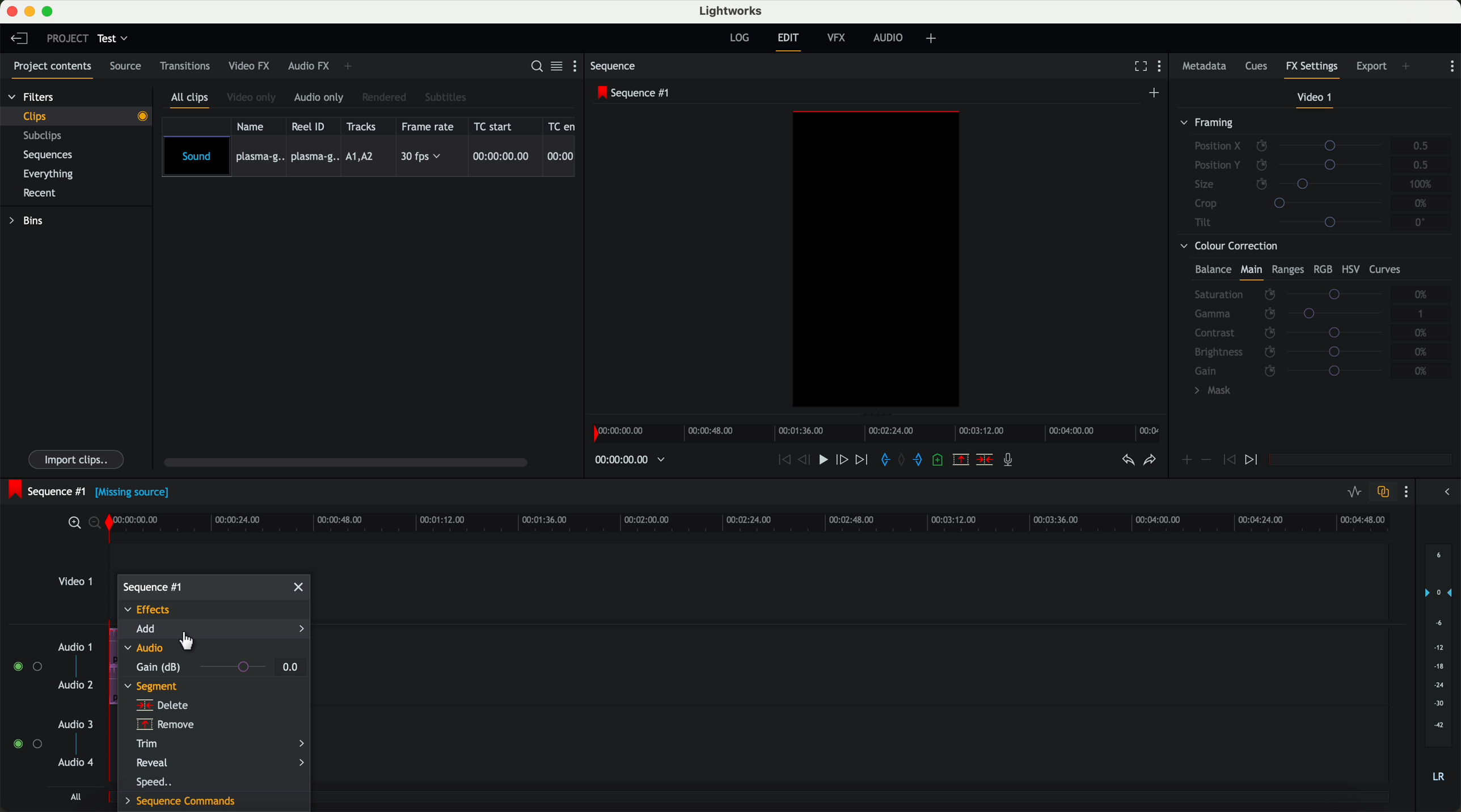 The image size is (1461, 812). I want to click on add out mark, so click(922, 461).